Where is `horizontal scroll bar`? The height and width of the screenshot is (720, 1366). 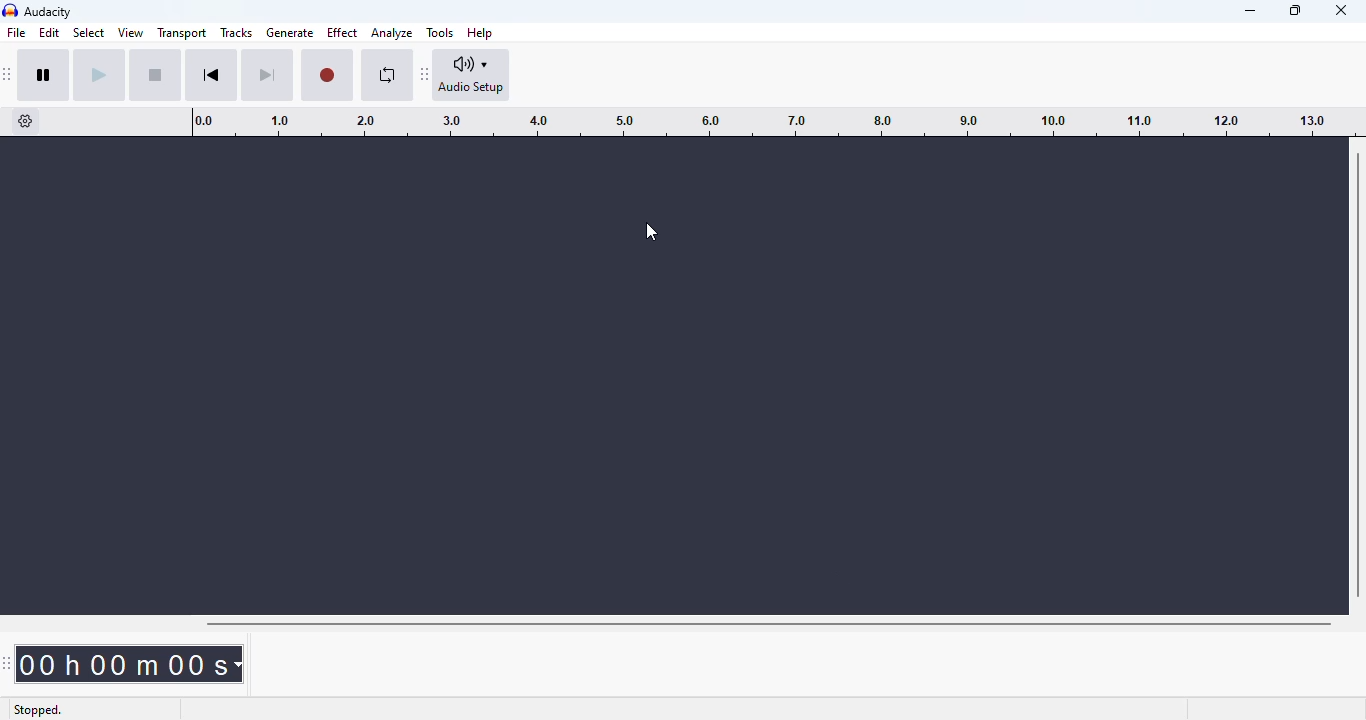 horizontal scroll bar is located at coordinates (768, 624).